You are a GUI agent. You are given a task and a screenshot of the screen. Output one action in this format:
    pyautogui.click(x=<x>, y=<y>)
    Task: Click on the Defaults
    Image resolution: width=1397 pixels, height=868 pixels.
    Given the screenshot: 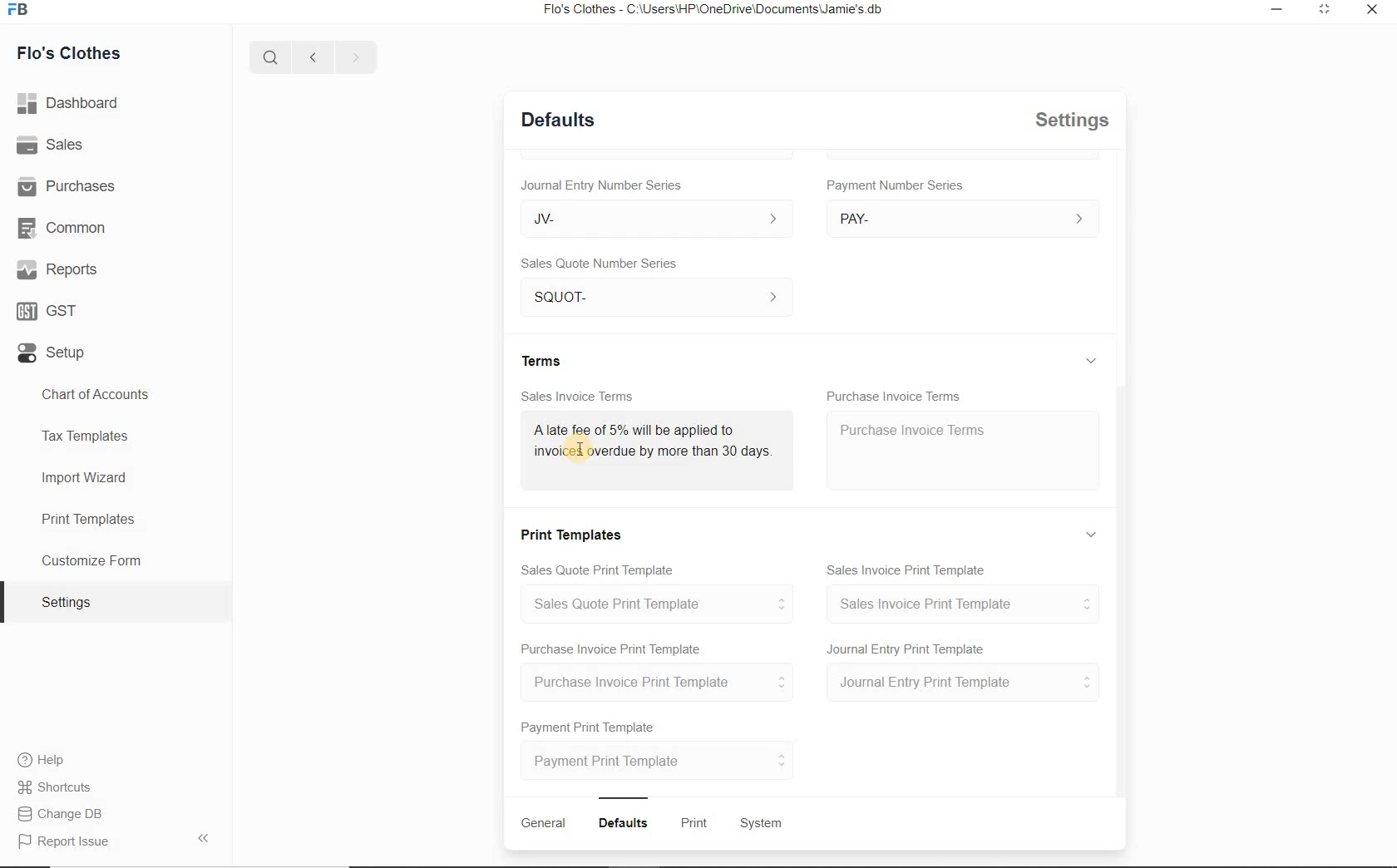 What is the action you would take?
    pyautogui.click(x=626, y=823)
    